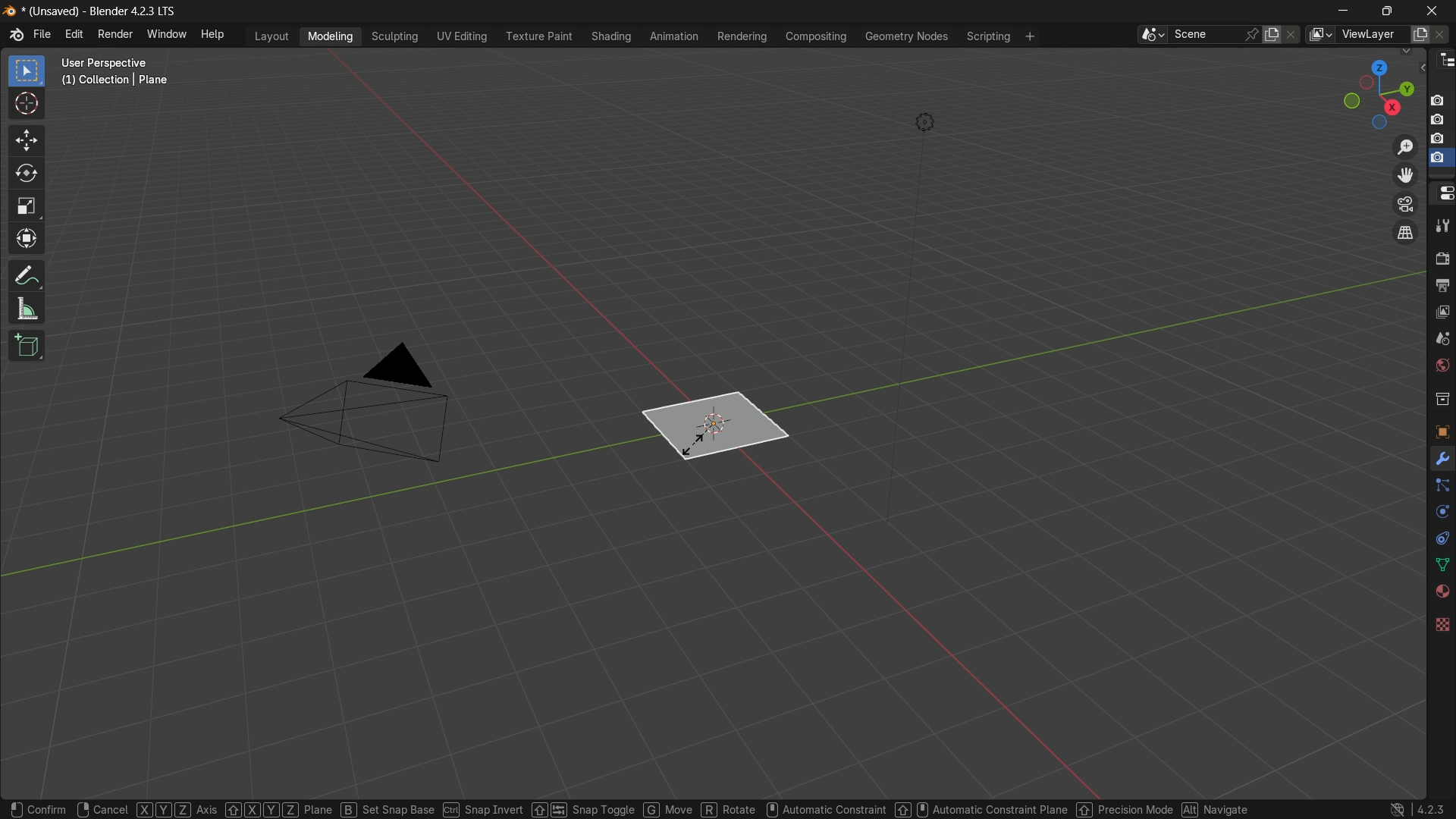 The image size is (1456, 819). I want to click on 4.2.3, so click(1414, 807).